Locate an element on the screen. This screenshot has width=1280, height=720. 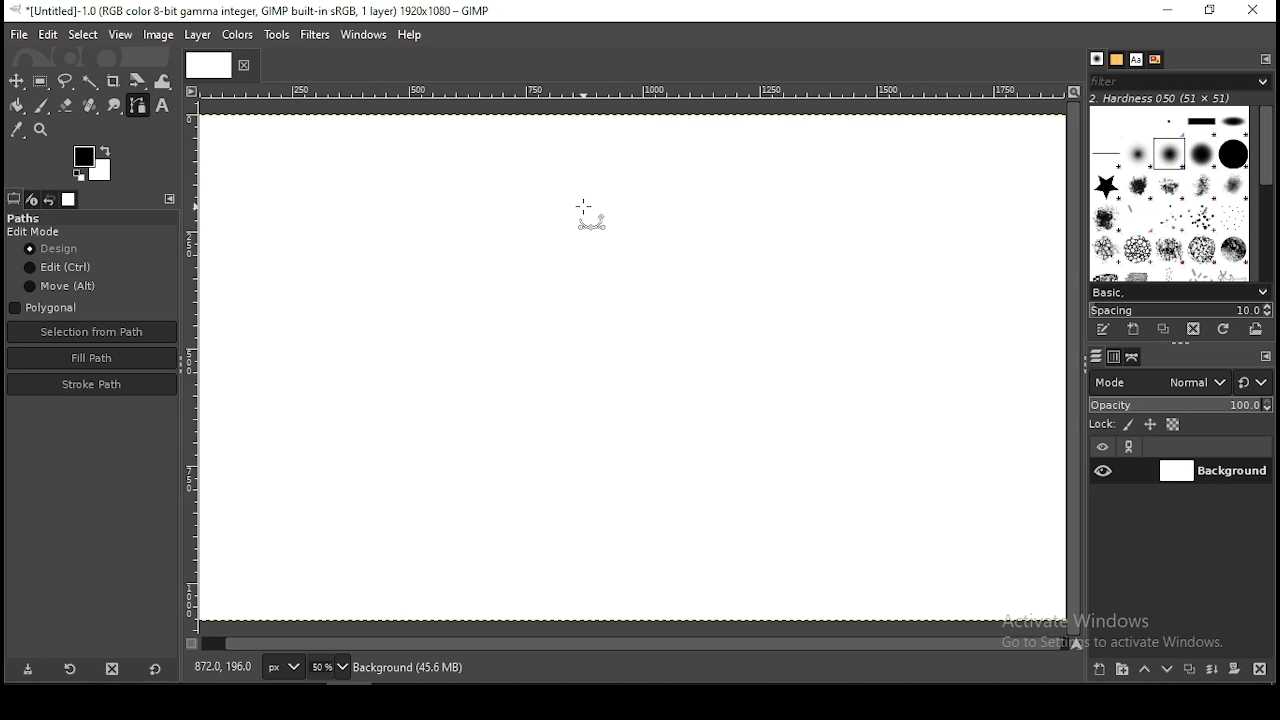
create a new layer group is located at coordinates (1124, 671).